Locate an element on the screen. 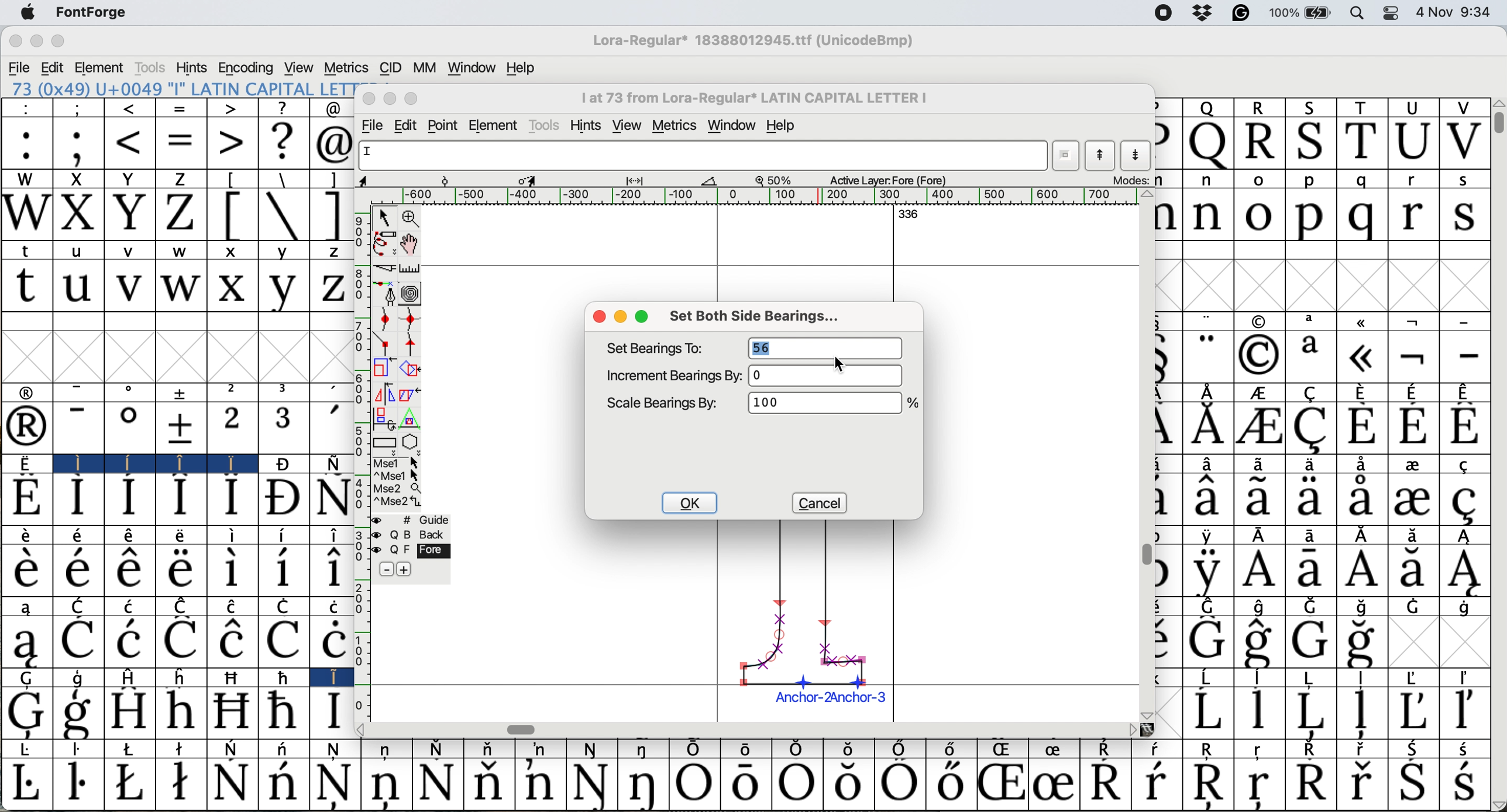  q is located at coordinates (1357, 217).